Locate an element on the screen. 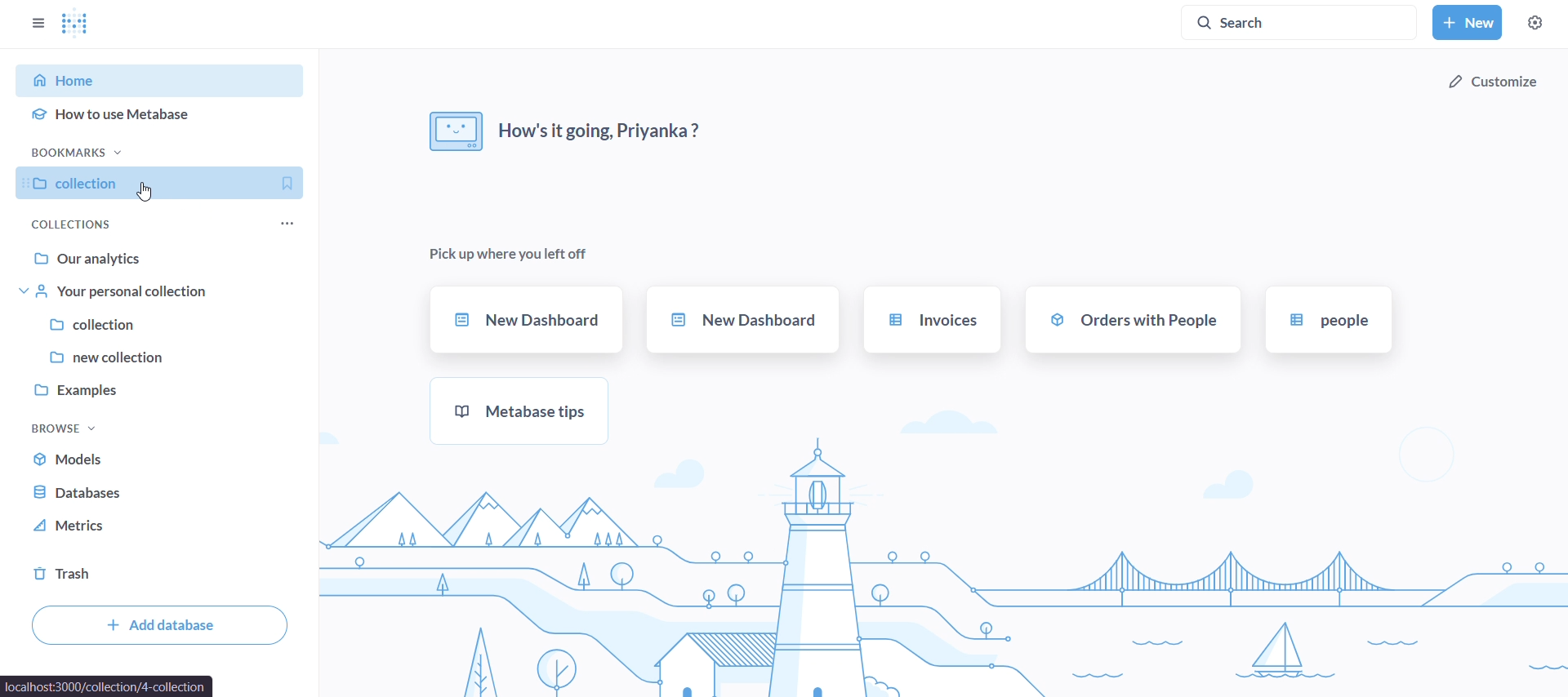  search is located at coordinates (1301, 20).